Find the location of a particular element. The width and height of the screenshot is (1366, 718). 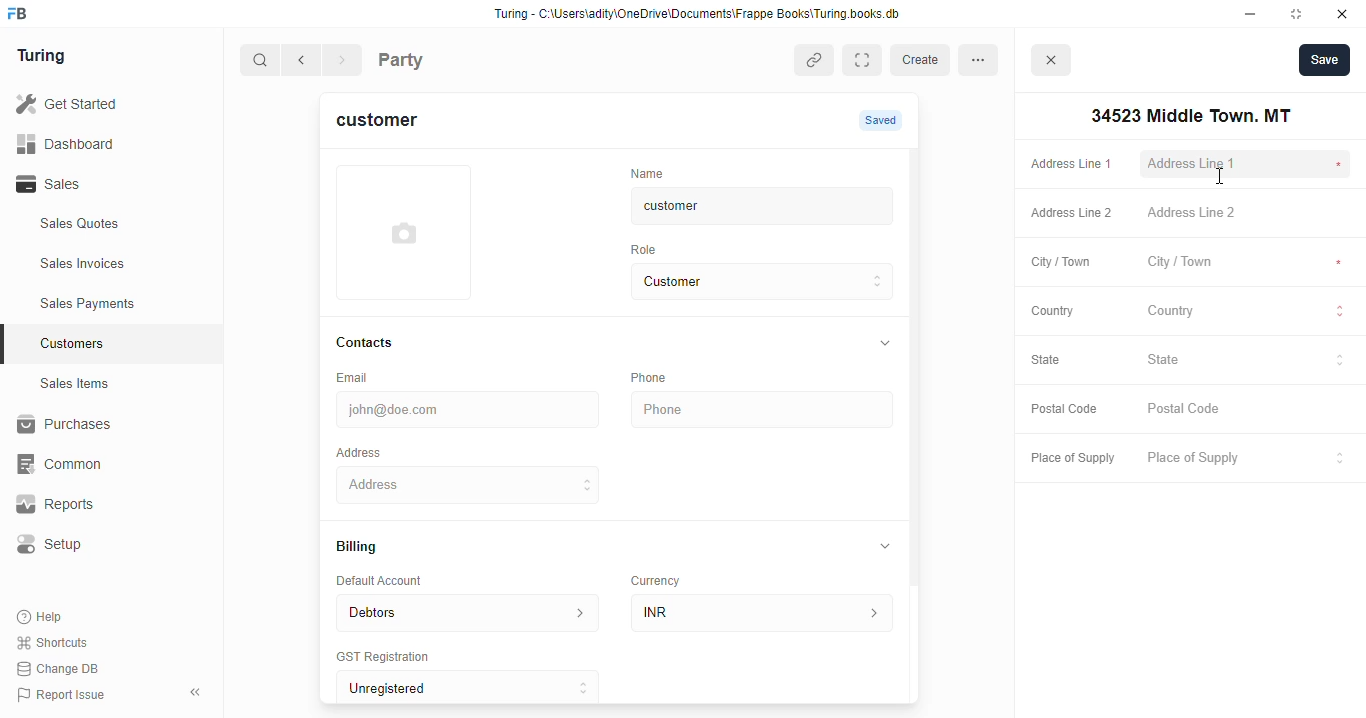

Turing - C:\Users\adity\OneDrive\Documents\Frappe Books\Turing books. db is located at coordinates (703, 16).